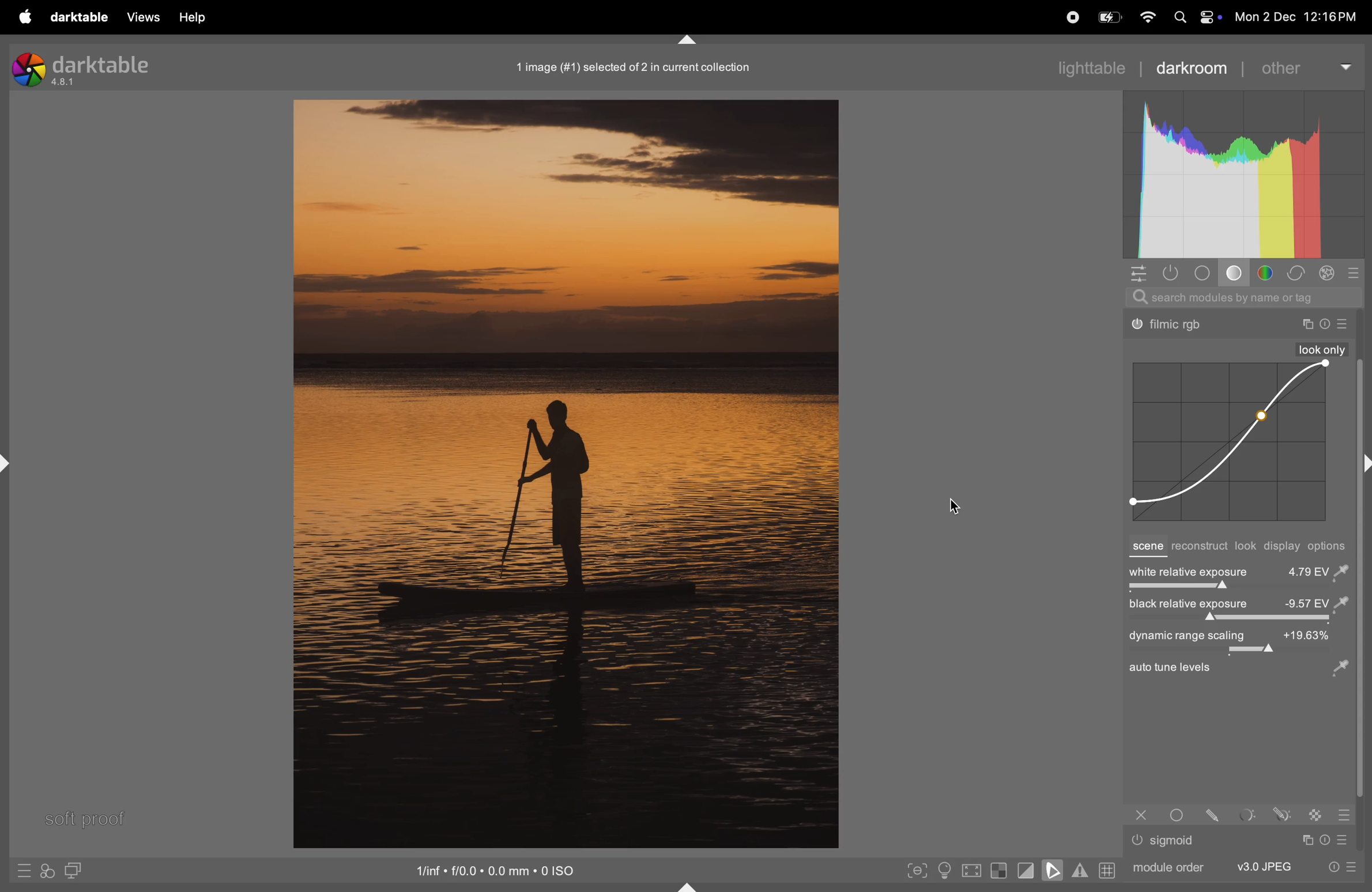 Image resolution: width=1372 pixels, height=892 pixels. Describe the element at coordinates (1322, 349) in the screenshot. I see `` at that location.